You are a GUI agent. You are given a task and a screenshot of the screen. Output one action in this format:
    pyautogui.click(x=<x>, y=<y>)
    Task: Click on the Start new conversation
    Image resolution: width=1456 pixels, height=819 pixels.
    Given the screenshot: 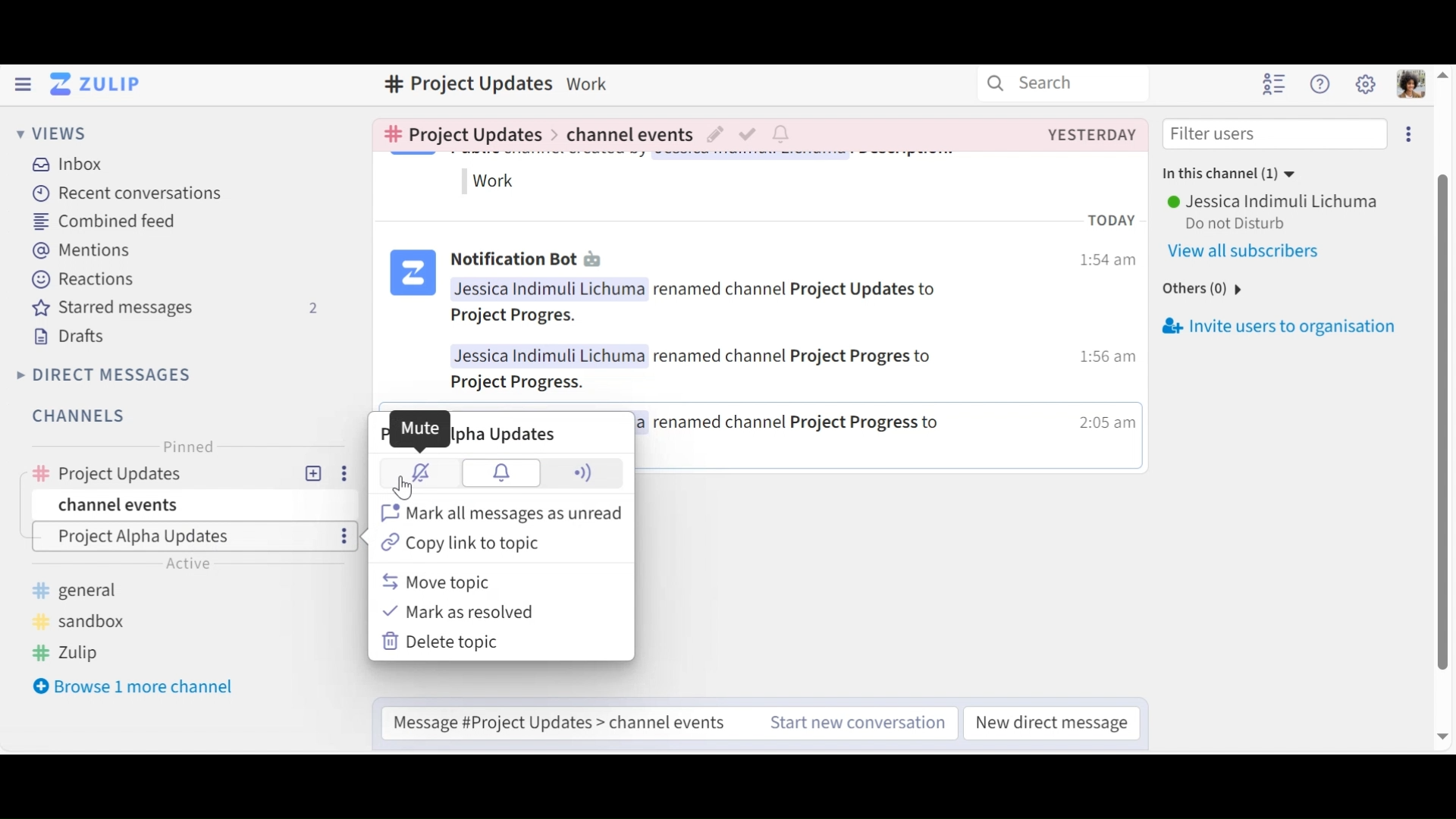 What is the action you would take?
    pyautogui.click(x=859, y=723)
    